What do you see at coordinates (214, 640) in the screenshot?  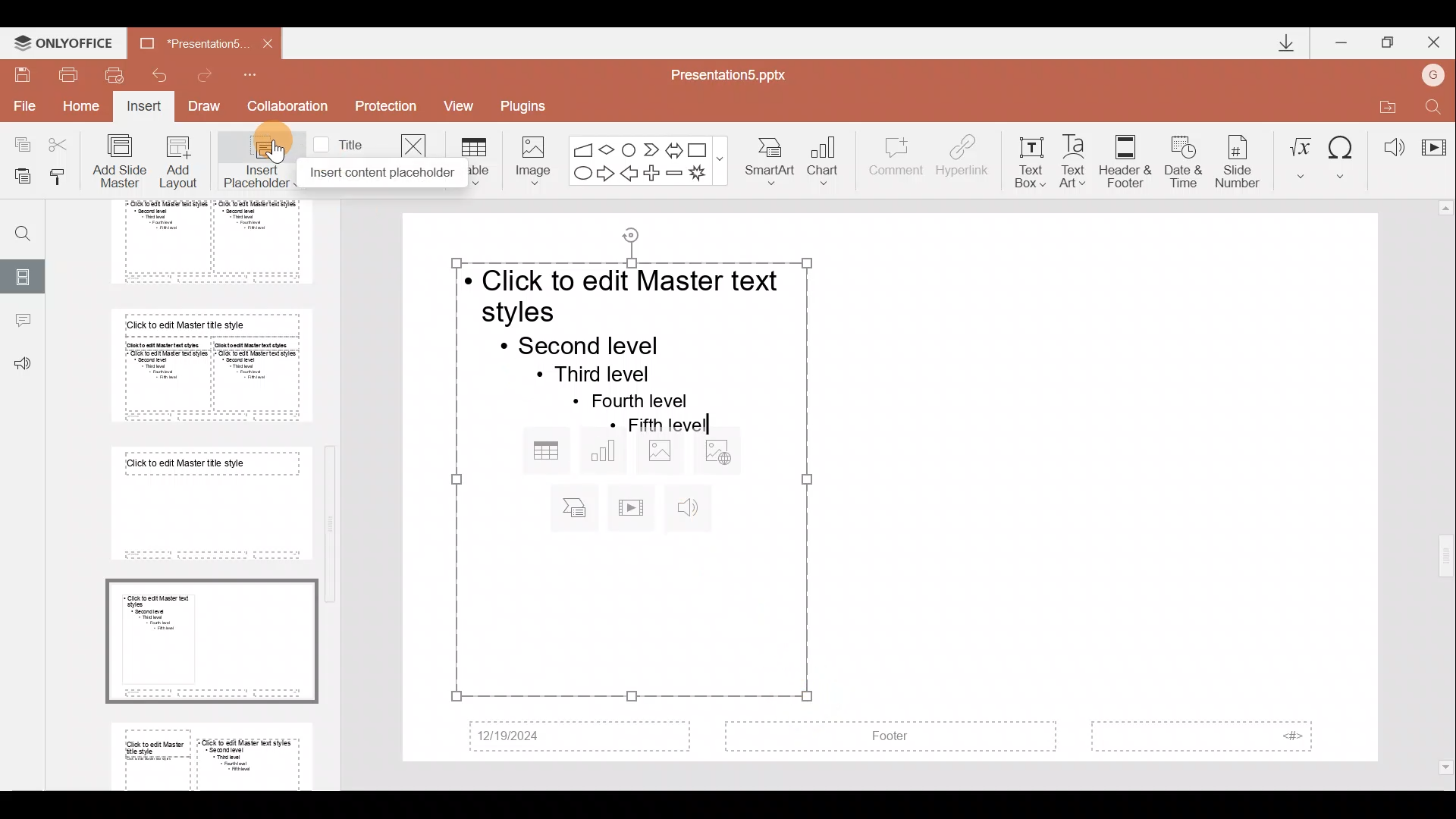 I see `Slide 8` at bounding box center [214, 640].